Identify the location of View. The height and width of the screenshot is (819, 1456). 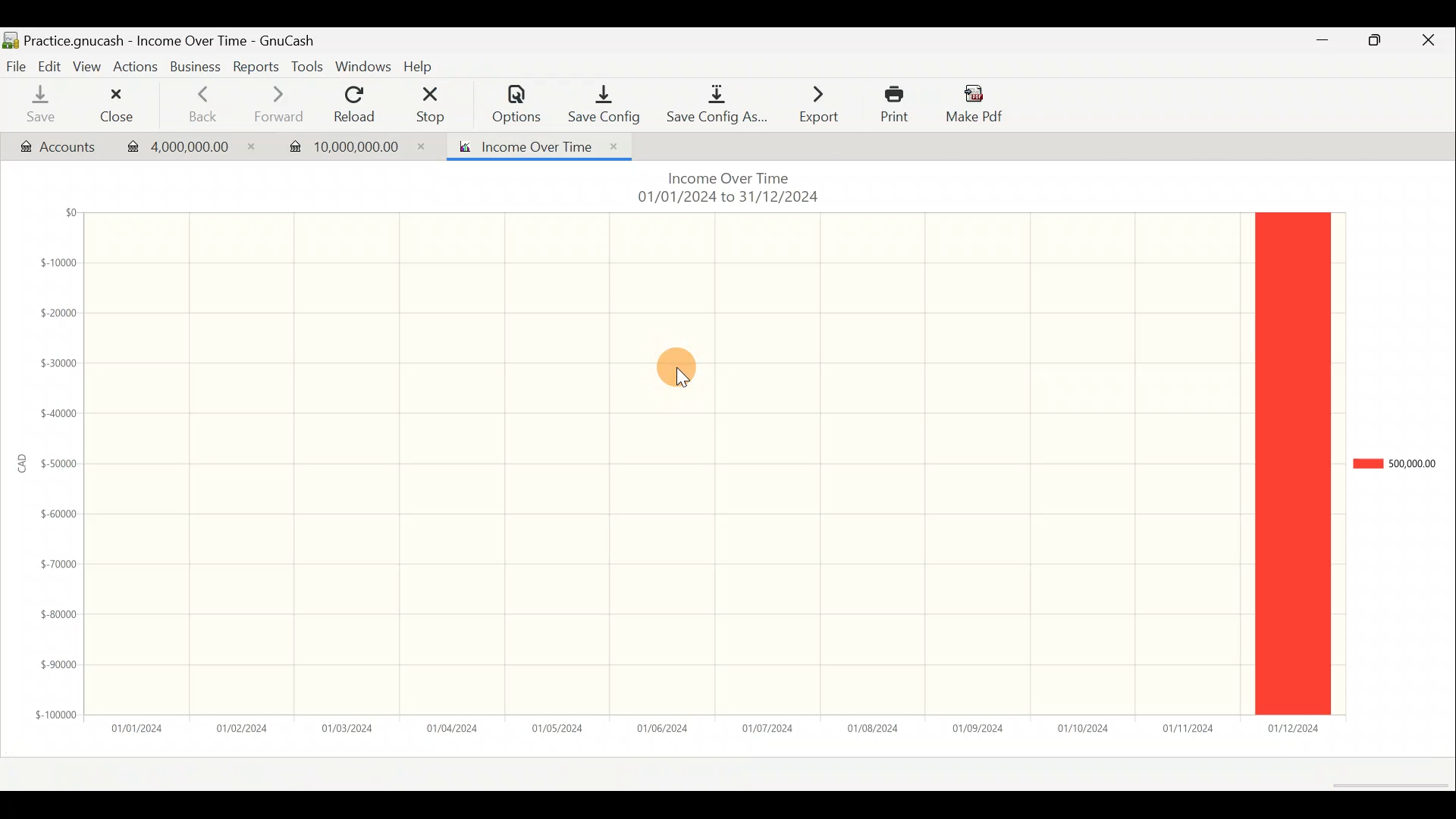
(88, 67).